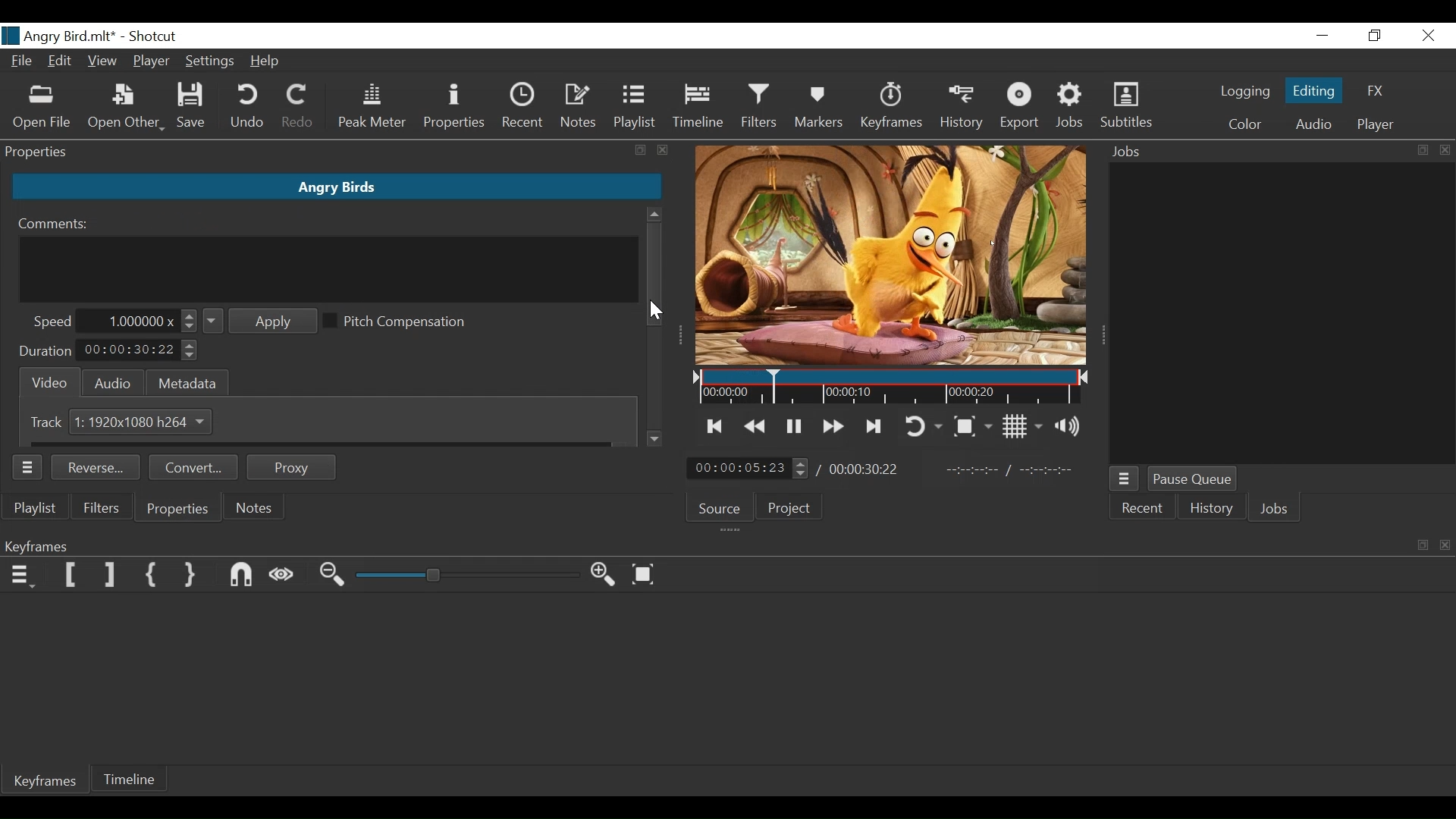 Image resolution: width=1456 pixels, height=819 pixels. I want to click on File, so click(21, 60).